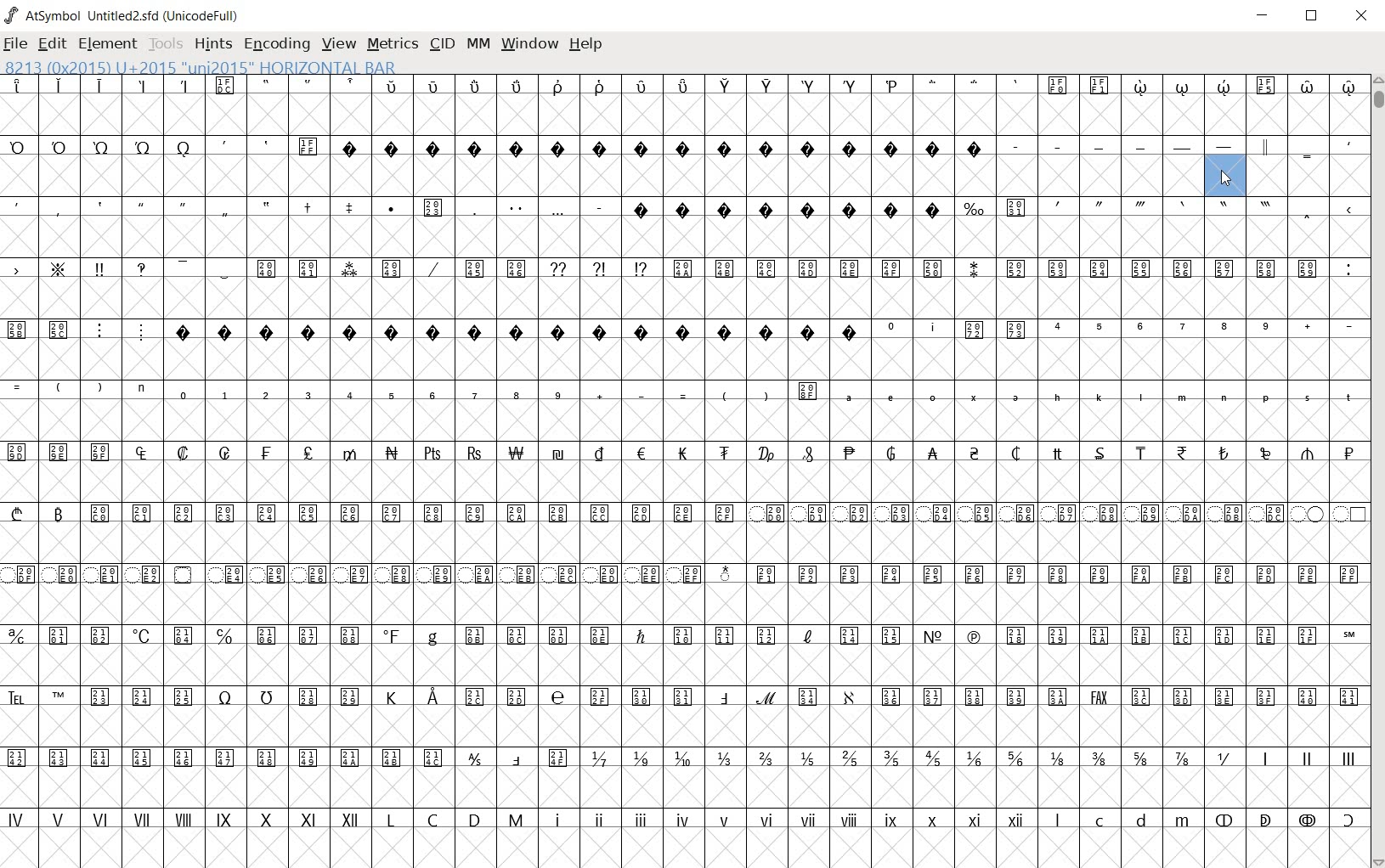 This screenshot has height=868, width=1385. Describe the element at coordinates (277, 44) in the screenshot. I see `ENCODING` at that location.